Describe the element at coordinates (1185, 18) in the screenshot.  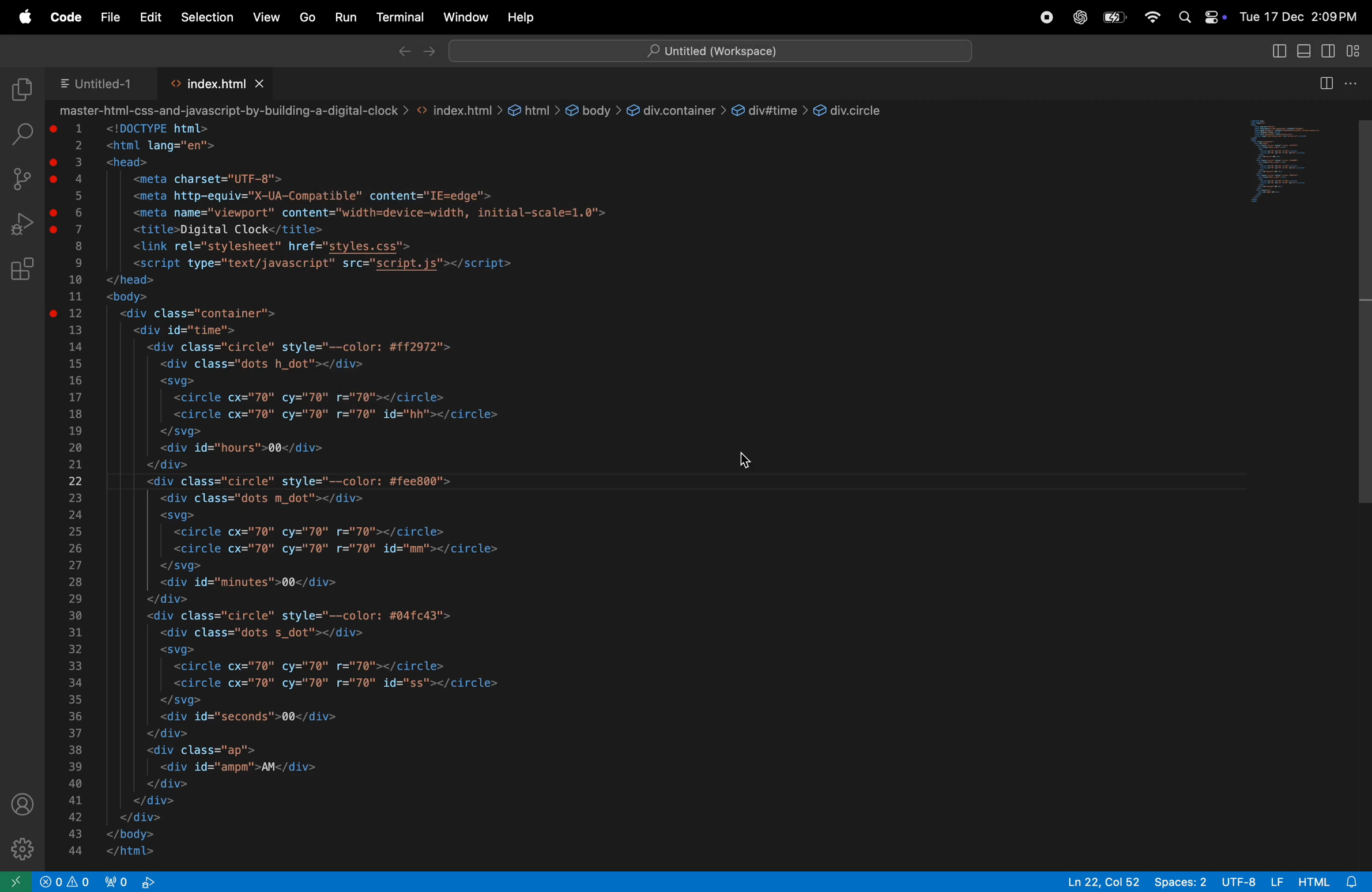
I see `search` at that location.